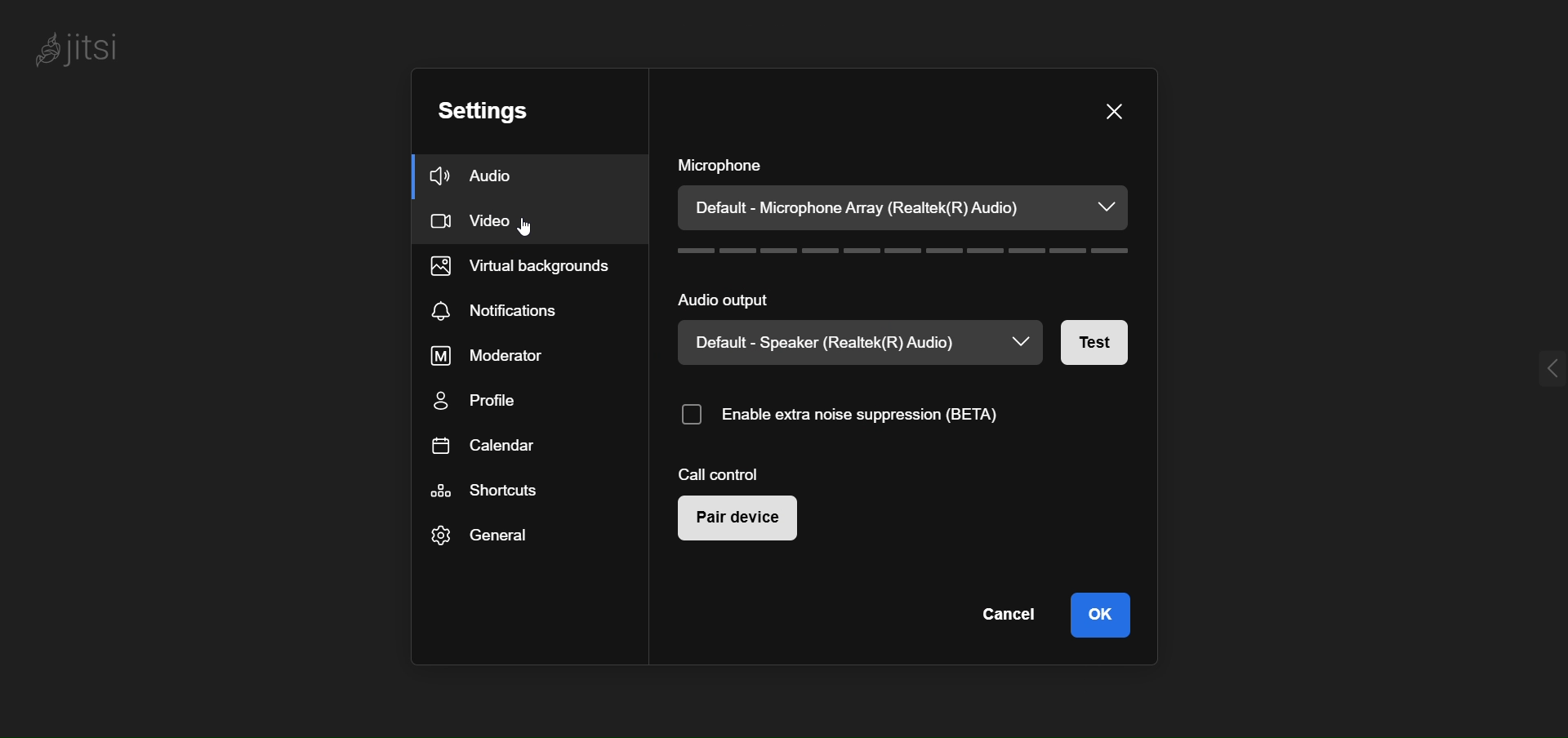 The image size is (1568, 738). I want to click on volume, so click(901, 252).